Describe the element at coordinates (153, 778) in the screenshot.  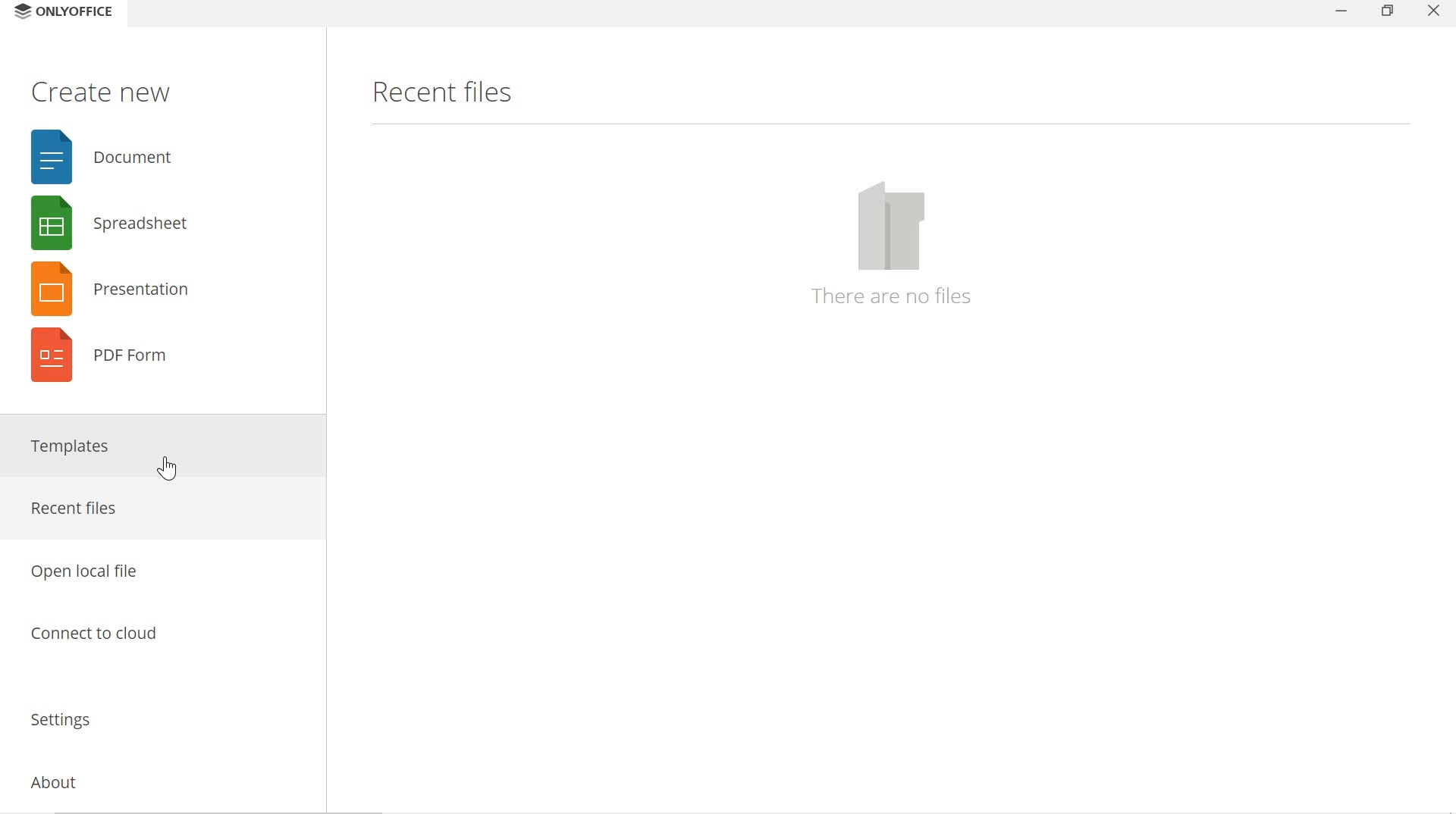
I see `about` at that location.